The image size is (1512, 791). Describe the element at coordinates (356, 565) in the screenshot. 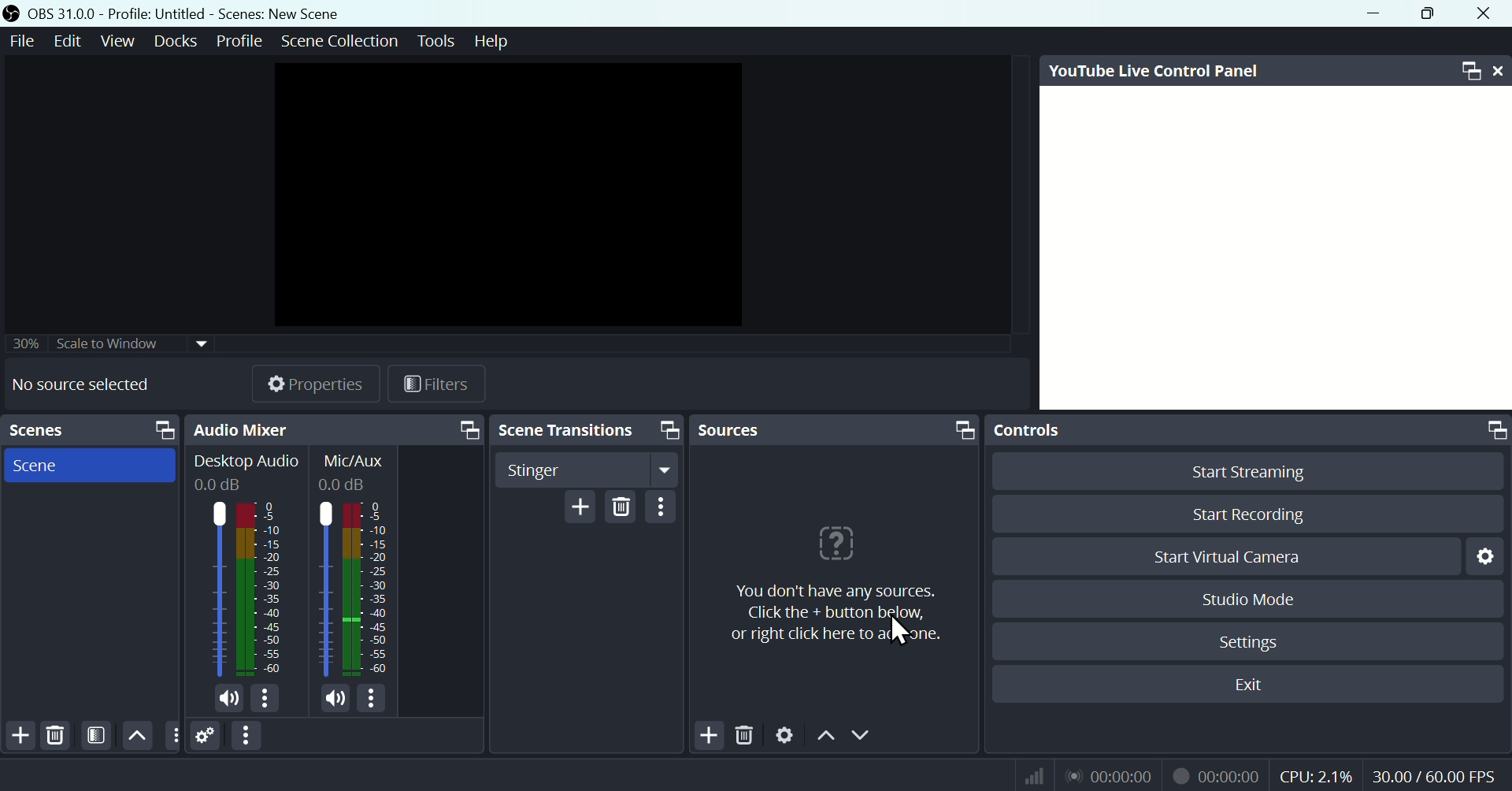

I see `Mic/Aux` at that location.